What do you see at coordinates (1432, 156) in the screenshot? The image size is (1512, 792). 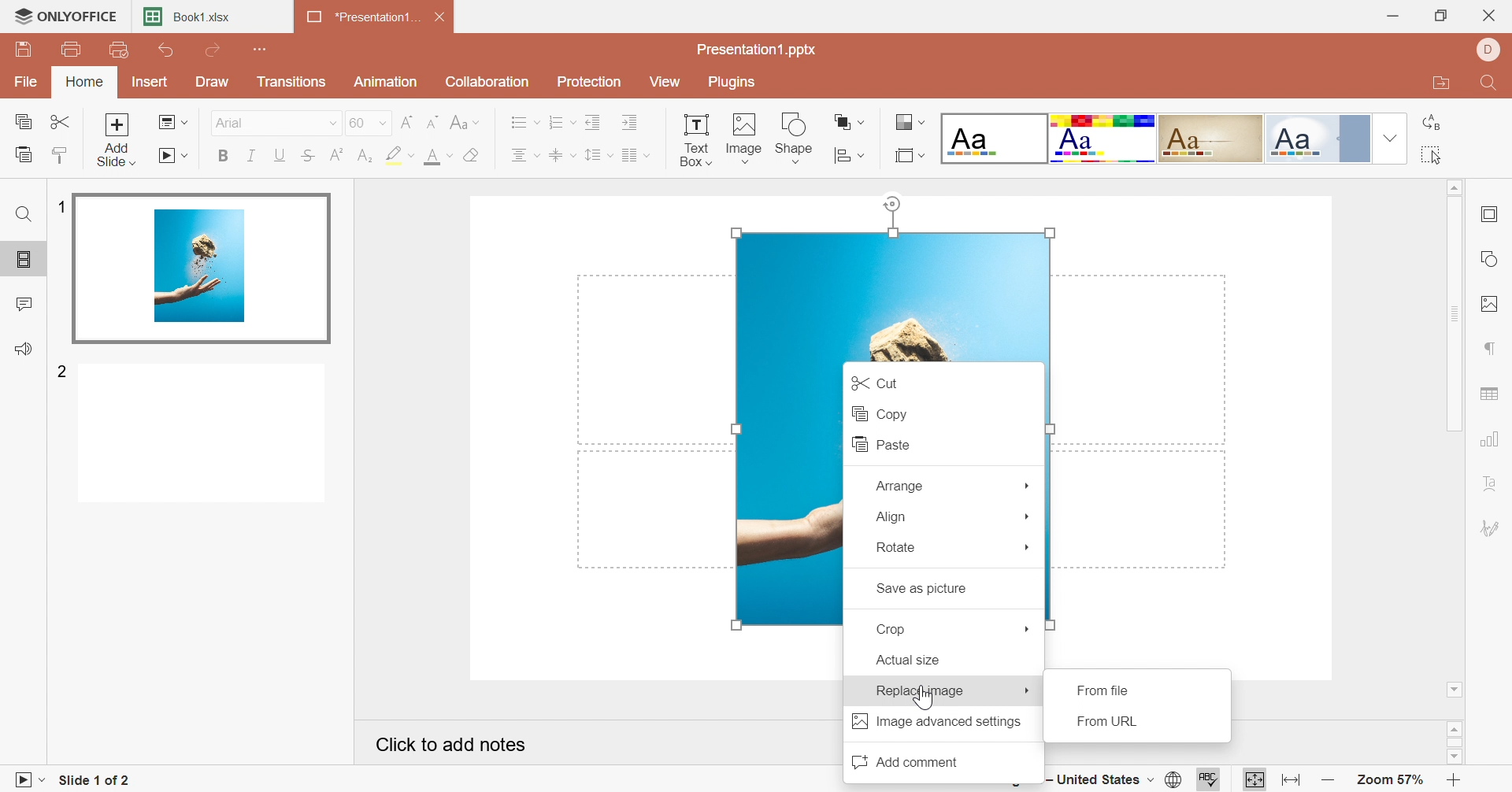 I see `Select All` at bounding box center [1432, 156].